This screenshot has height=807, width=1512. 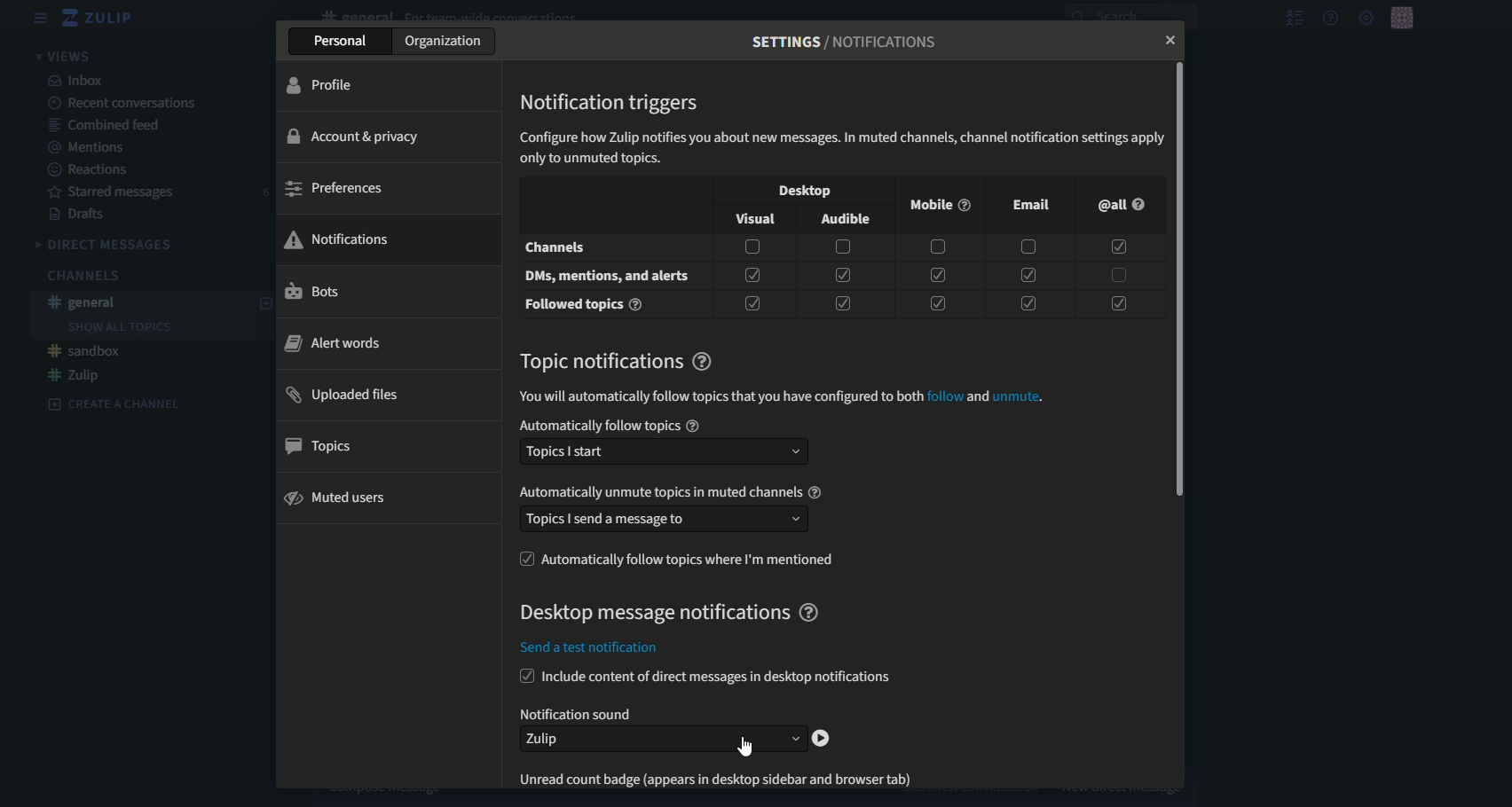 I want to click on main menu, so click(x=1365, y=17).